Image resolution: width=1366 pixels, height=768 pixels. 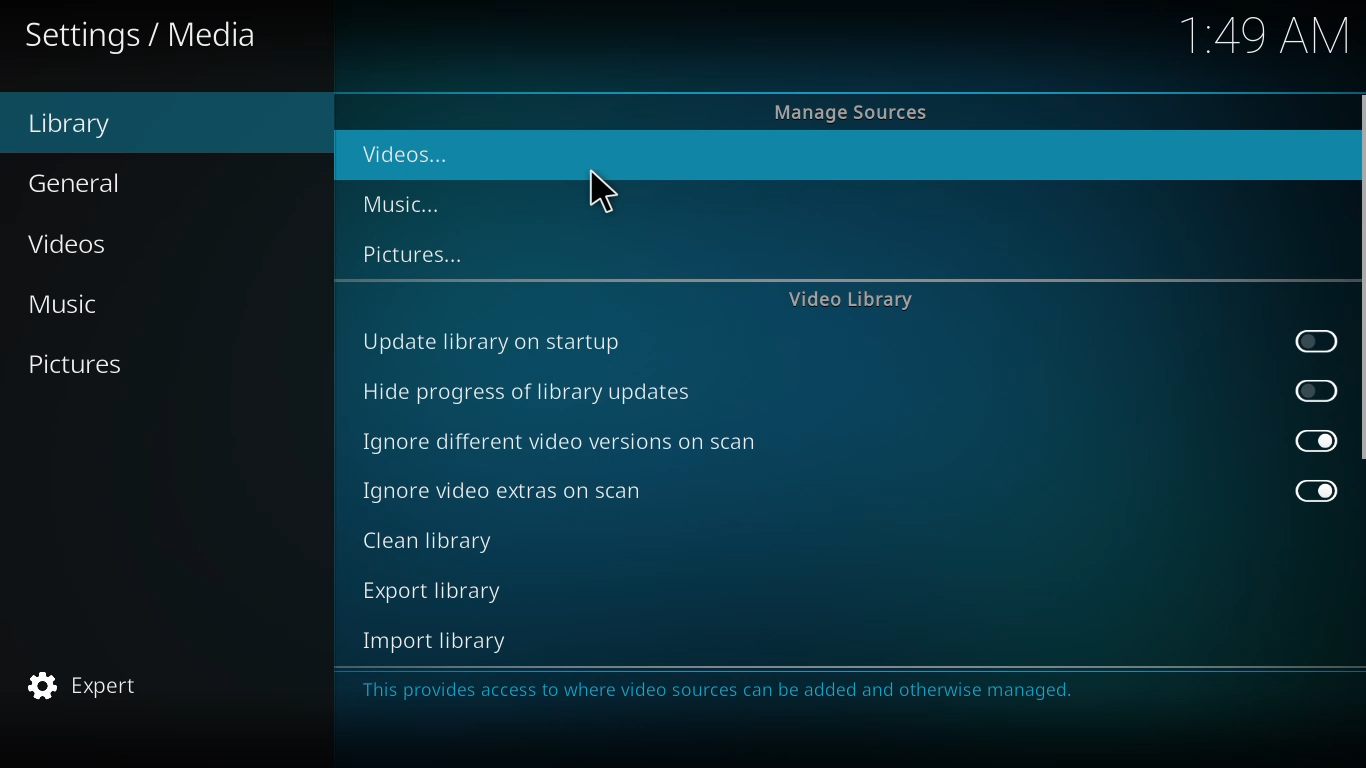 I want to click on ignore different video versions, so click(x=565, y=442).